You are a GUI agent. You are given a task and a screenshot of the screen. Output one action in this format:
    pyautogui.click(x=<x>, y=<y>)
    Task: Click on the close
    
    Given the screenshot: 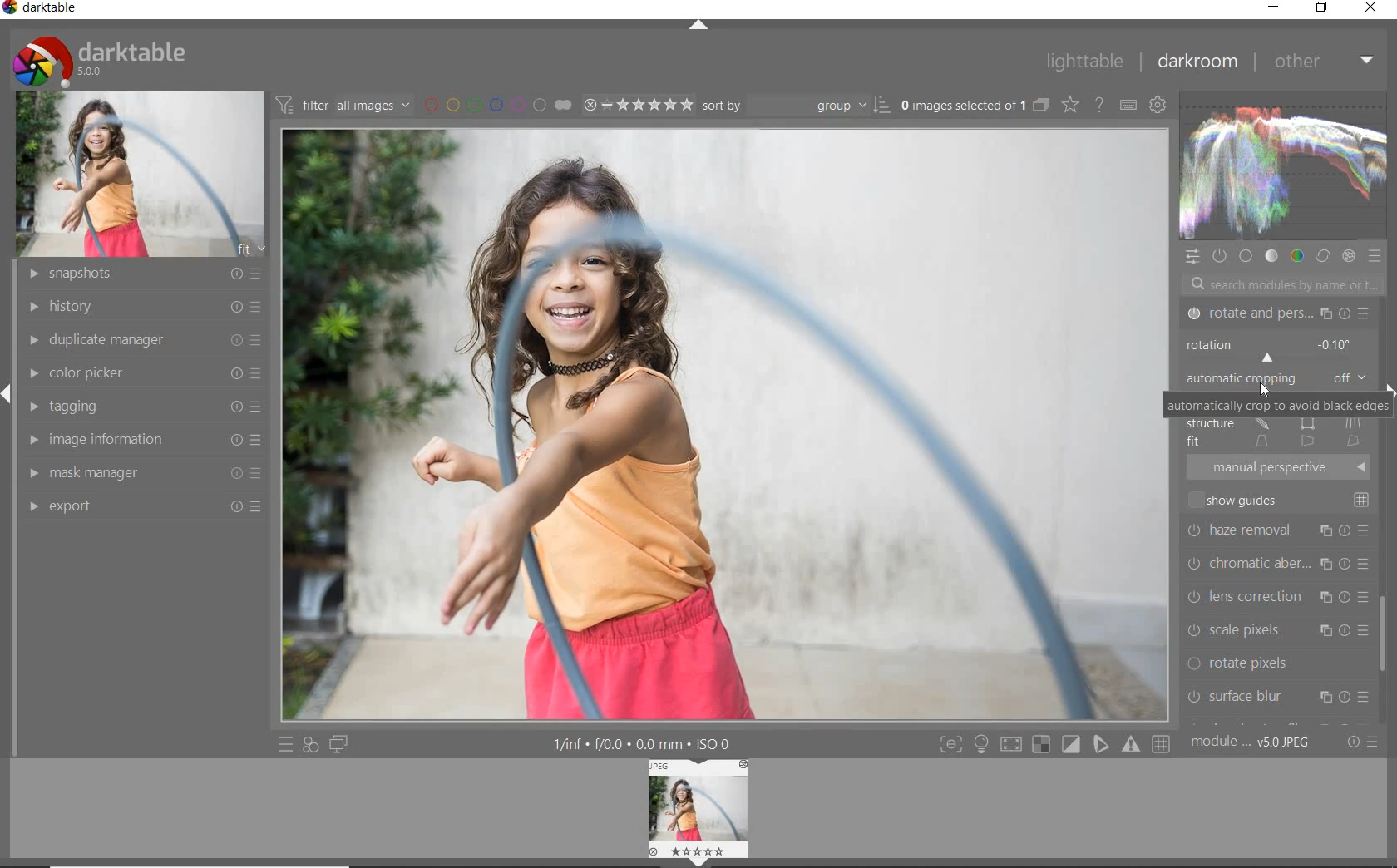 What is the action you would take?
    pyautogui.click(x=1372, y=7)
    